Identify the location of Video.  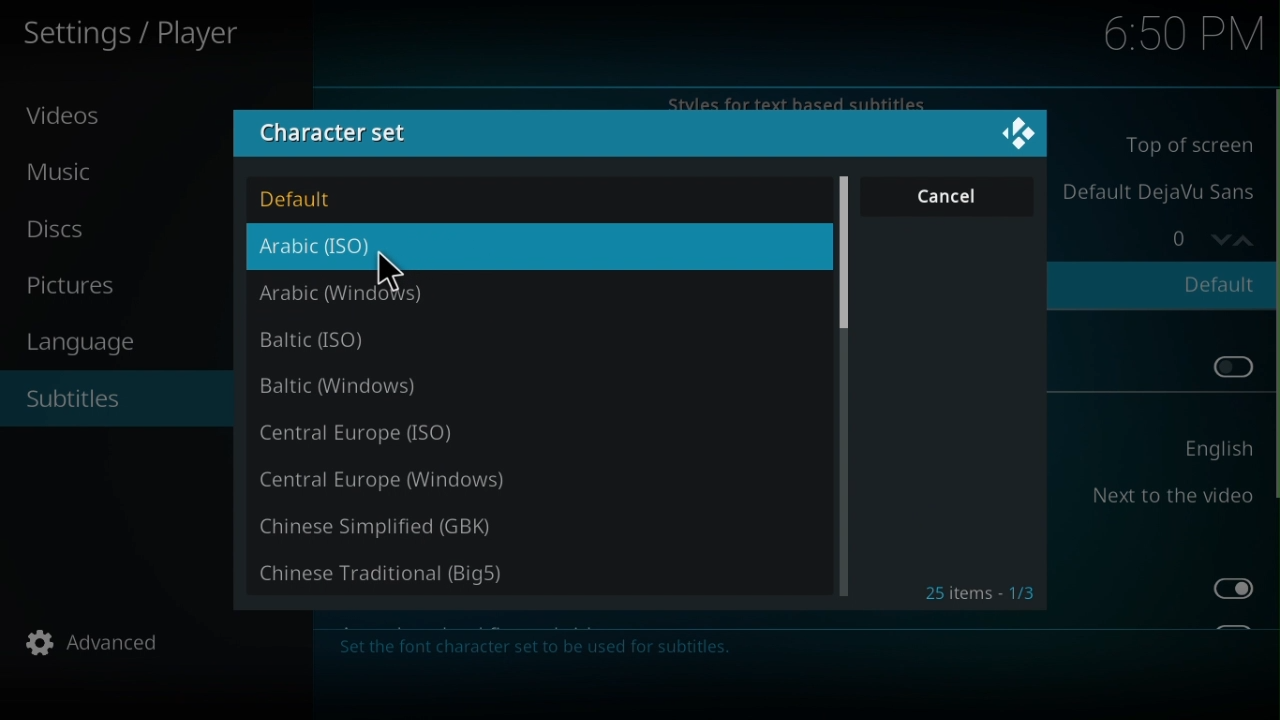
(67, 122).